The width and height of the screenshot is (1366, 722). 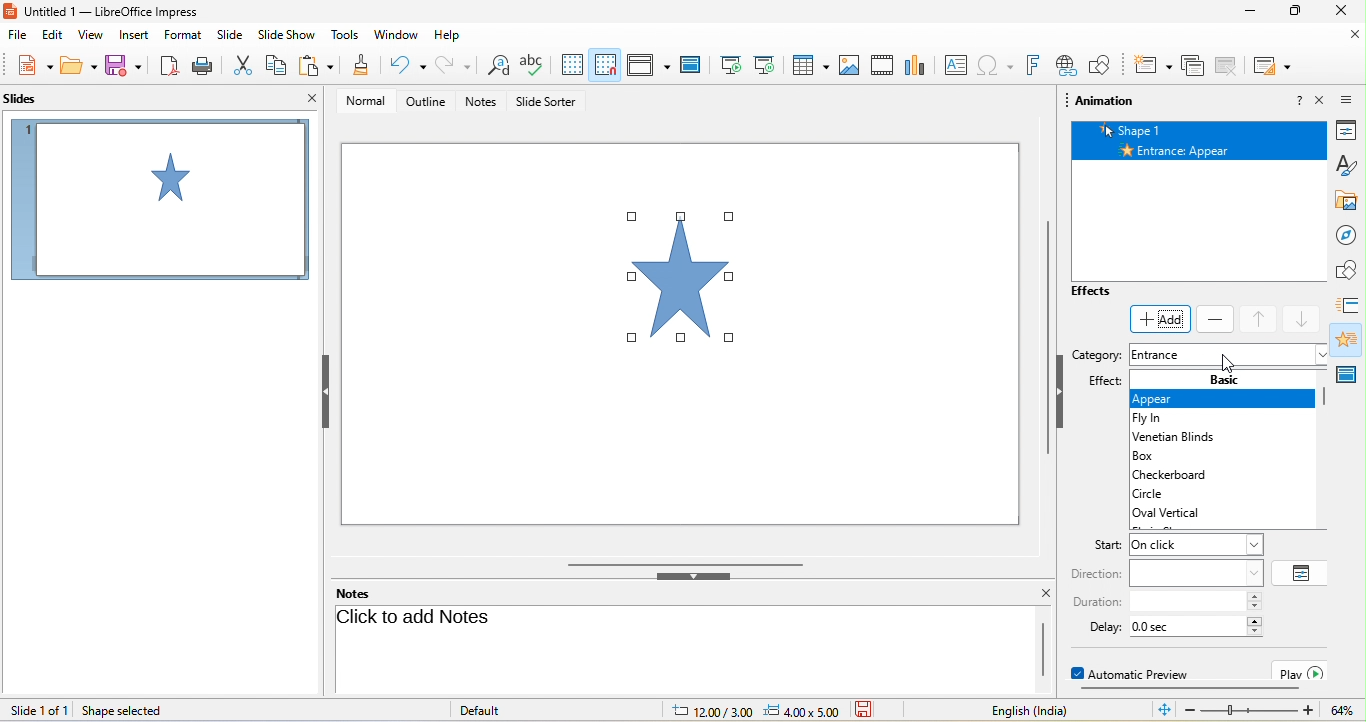 What do you see at coordinates (1158, 419) in the screenshot?
I see `fly in` at bounding box center [1158, 419].